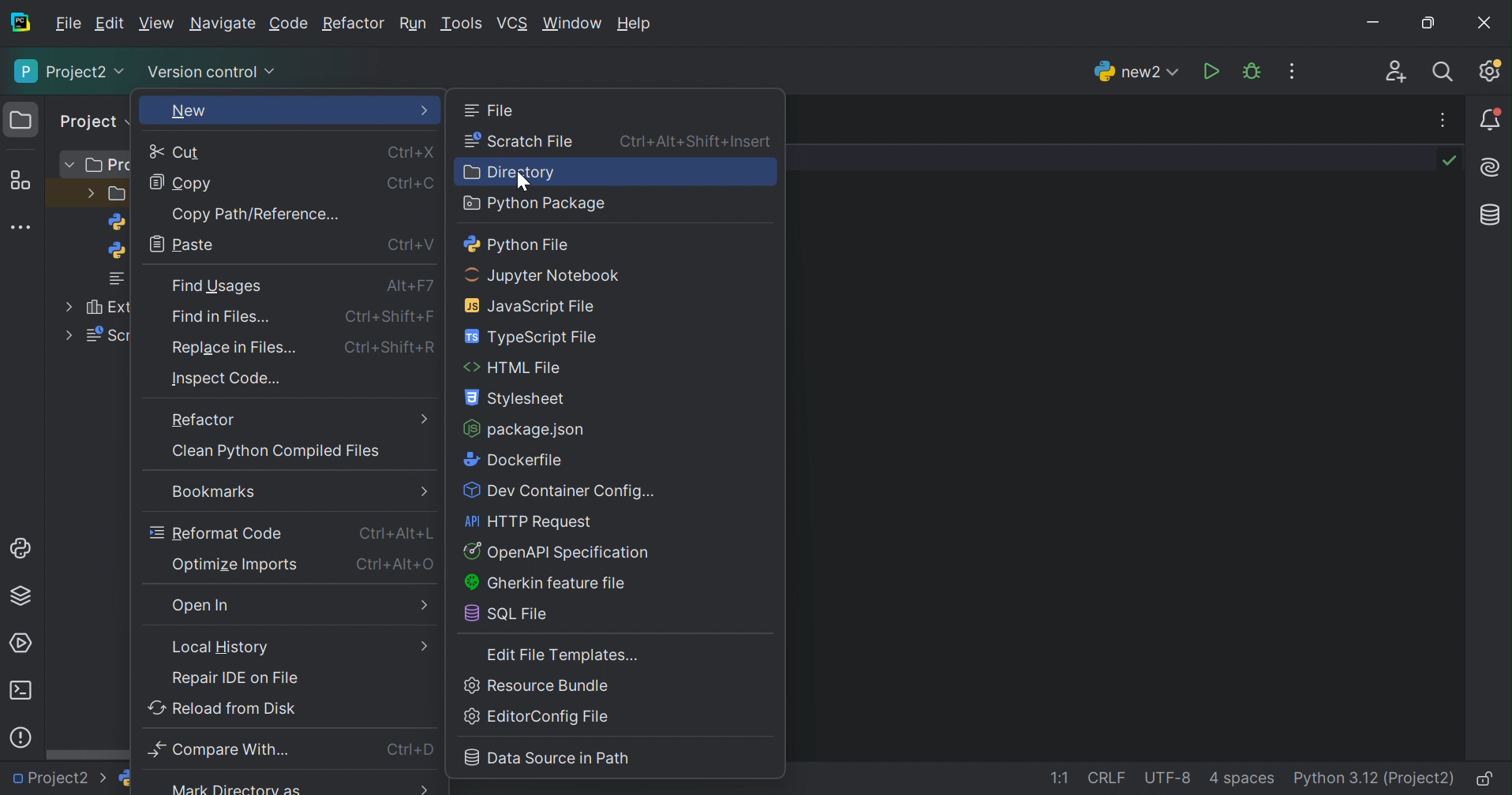  Describe the element at coordinates (425, 111) in the screenshot. I see `More` at that location.